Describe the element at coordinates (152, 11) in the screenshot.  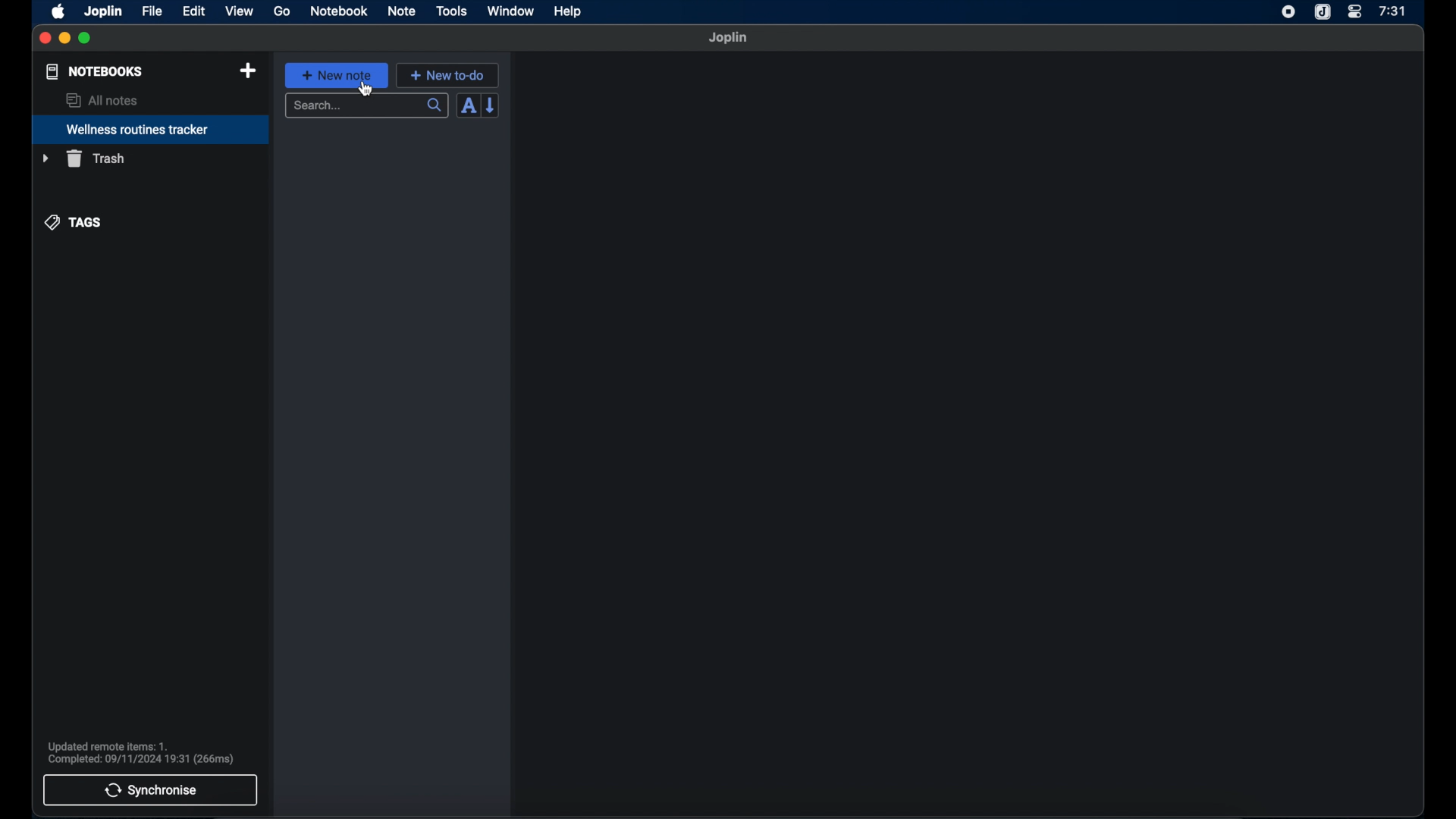
I see `file` at that location.